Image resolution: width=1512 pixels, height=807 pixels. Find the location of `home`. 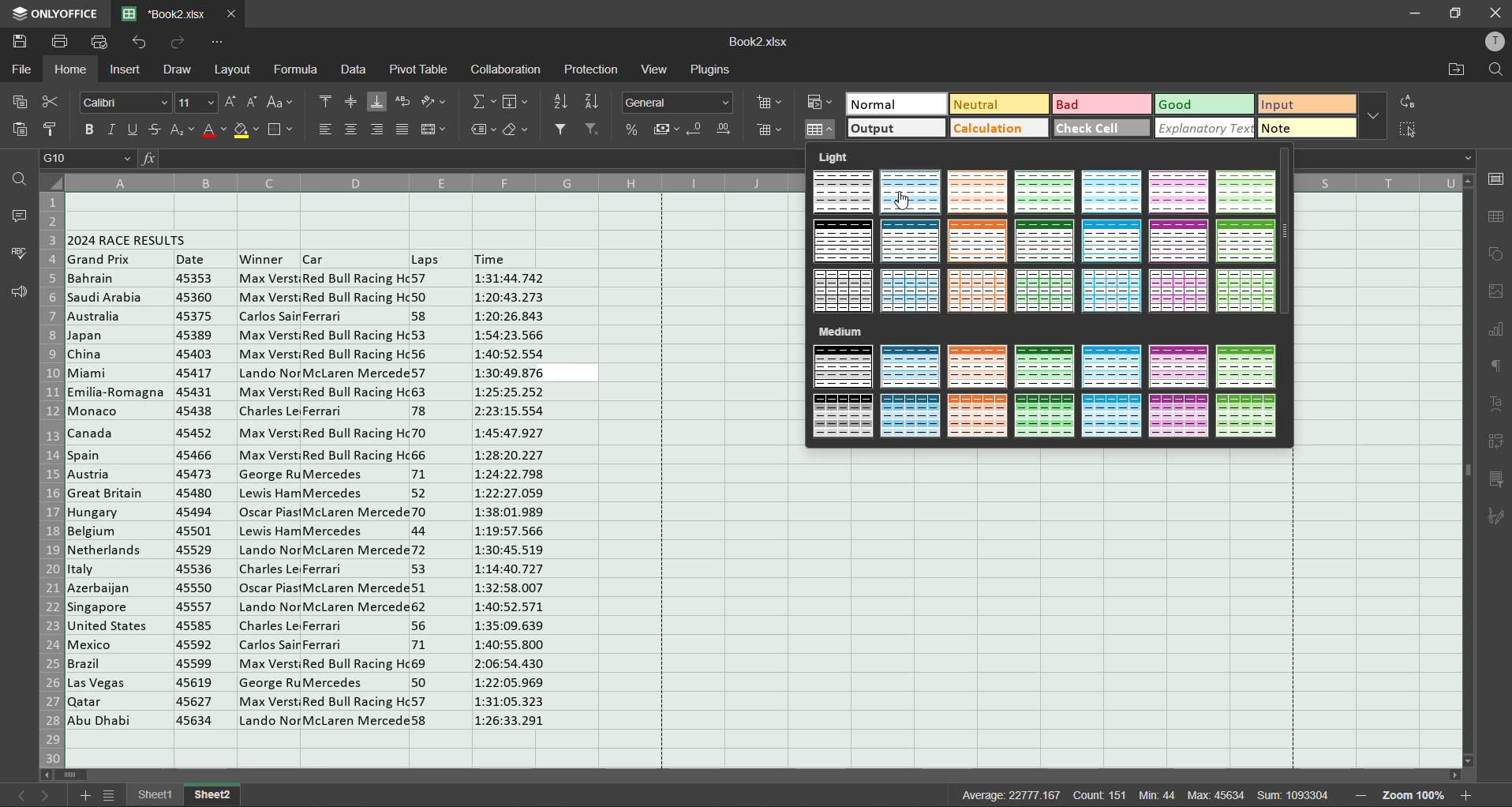

home is located at coordinates (71, 70).